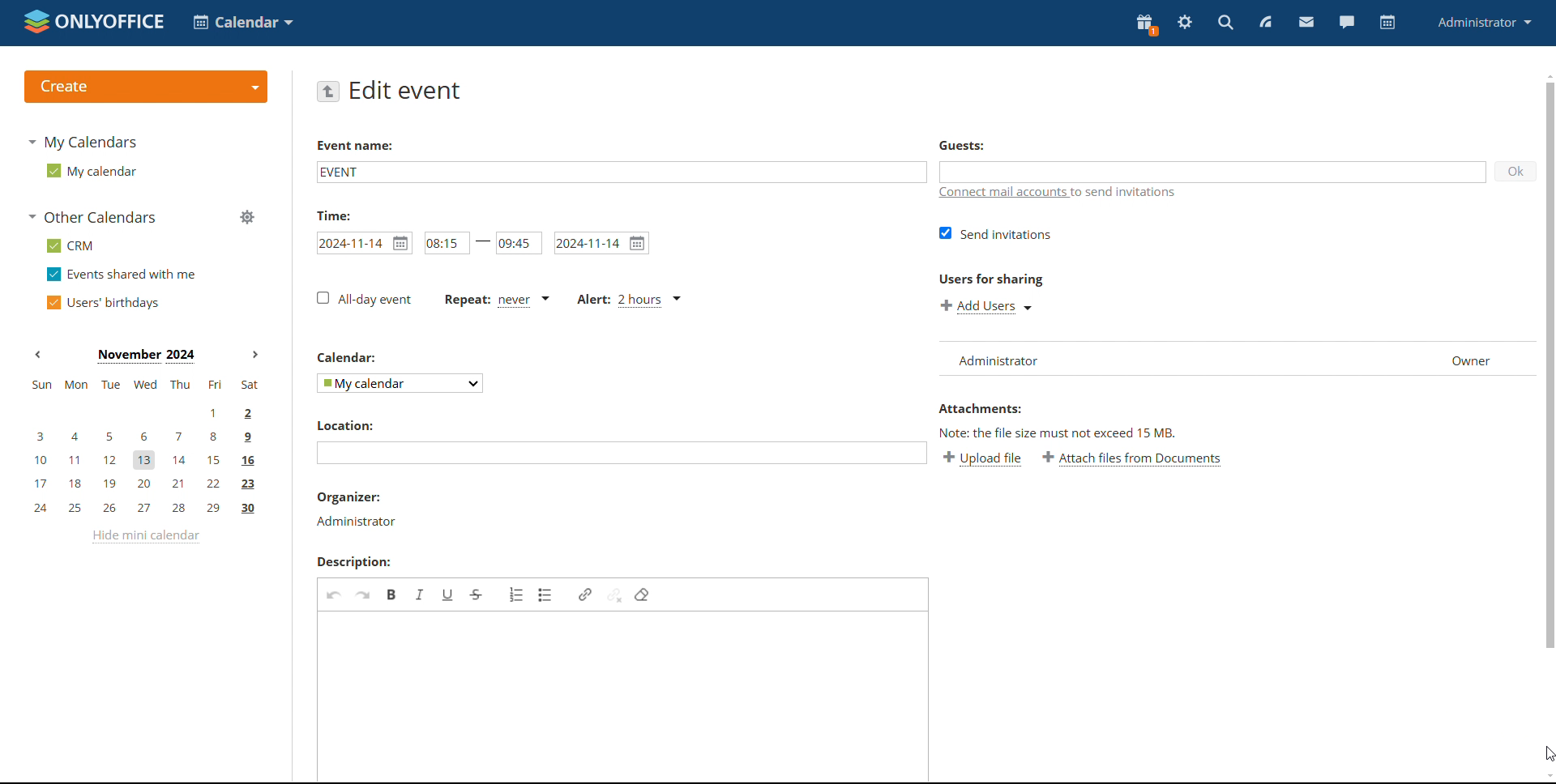 The image size is (1556, 784). What do you see at coordinates (351, 359) in the screenshot?
I see `calendar label` at bounding box center [351, 359].